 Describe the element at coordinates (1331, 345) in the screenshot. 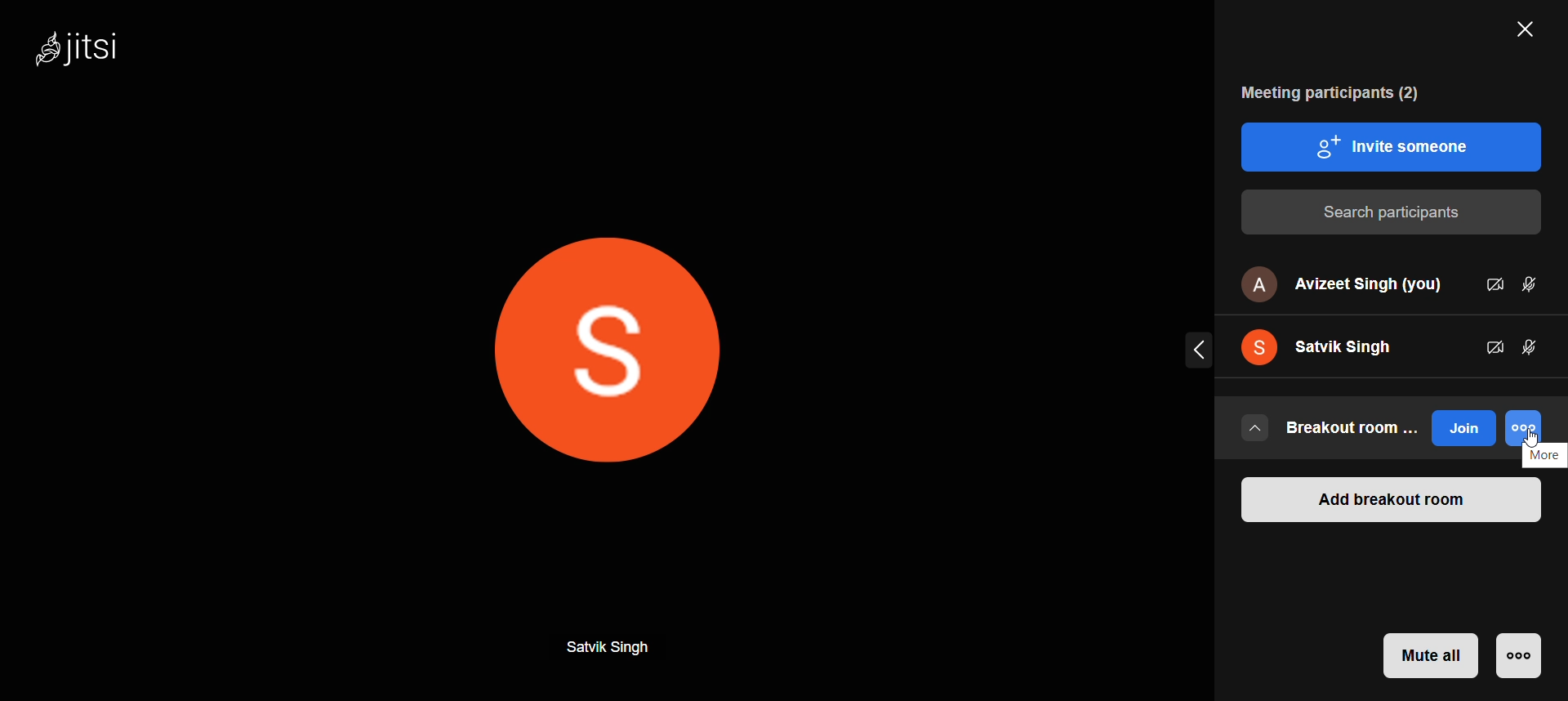

I see `satvik singh` at that location.